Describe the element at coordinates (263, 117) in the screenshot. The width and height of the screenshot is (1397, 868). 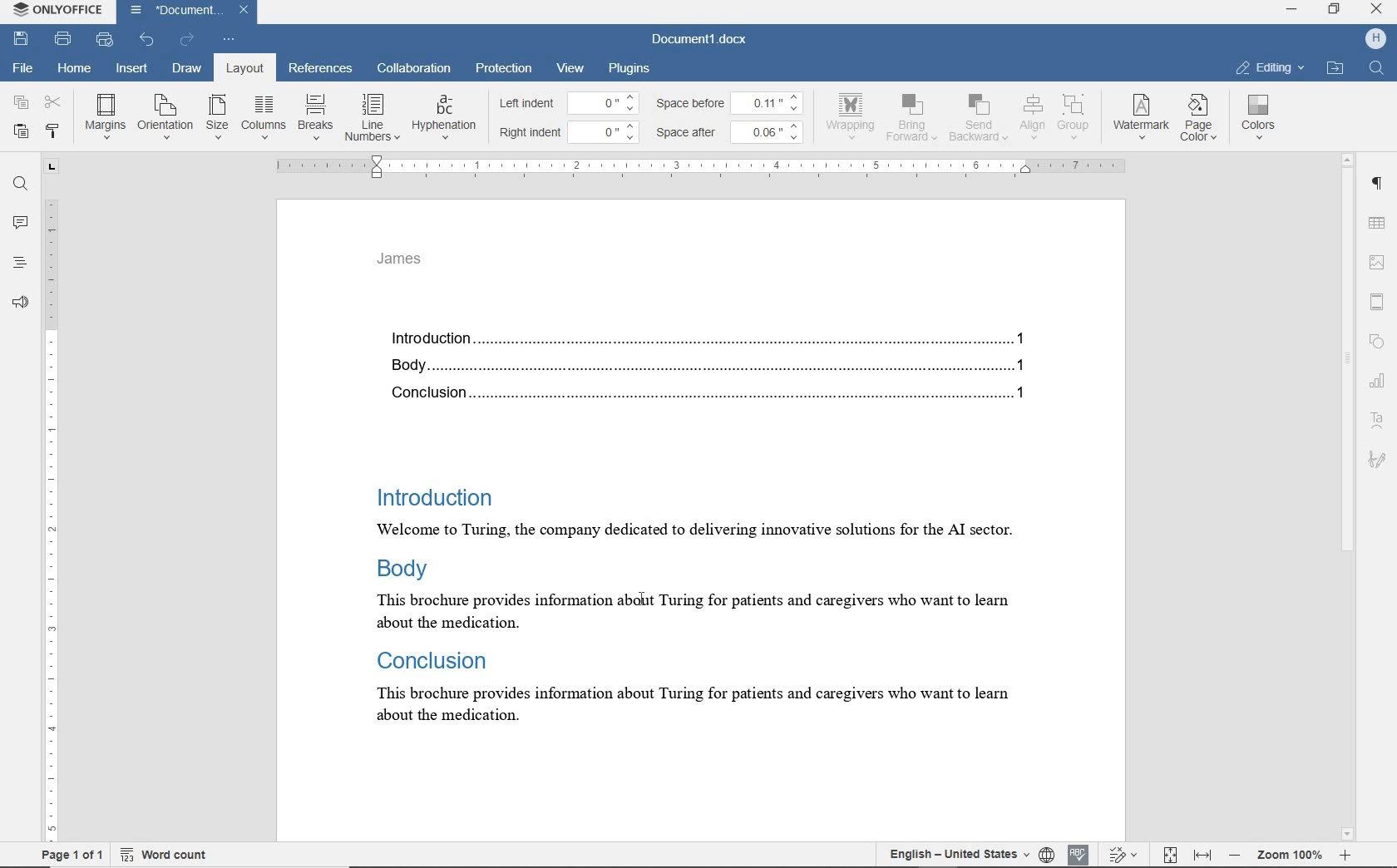
I see `columns` at that location.